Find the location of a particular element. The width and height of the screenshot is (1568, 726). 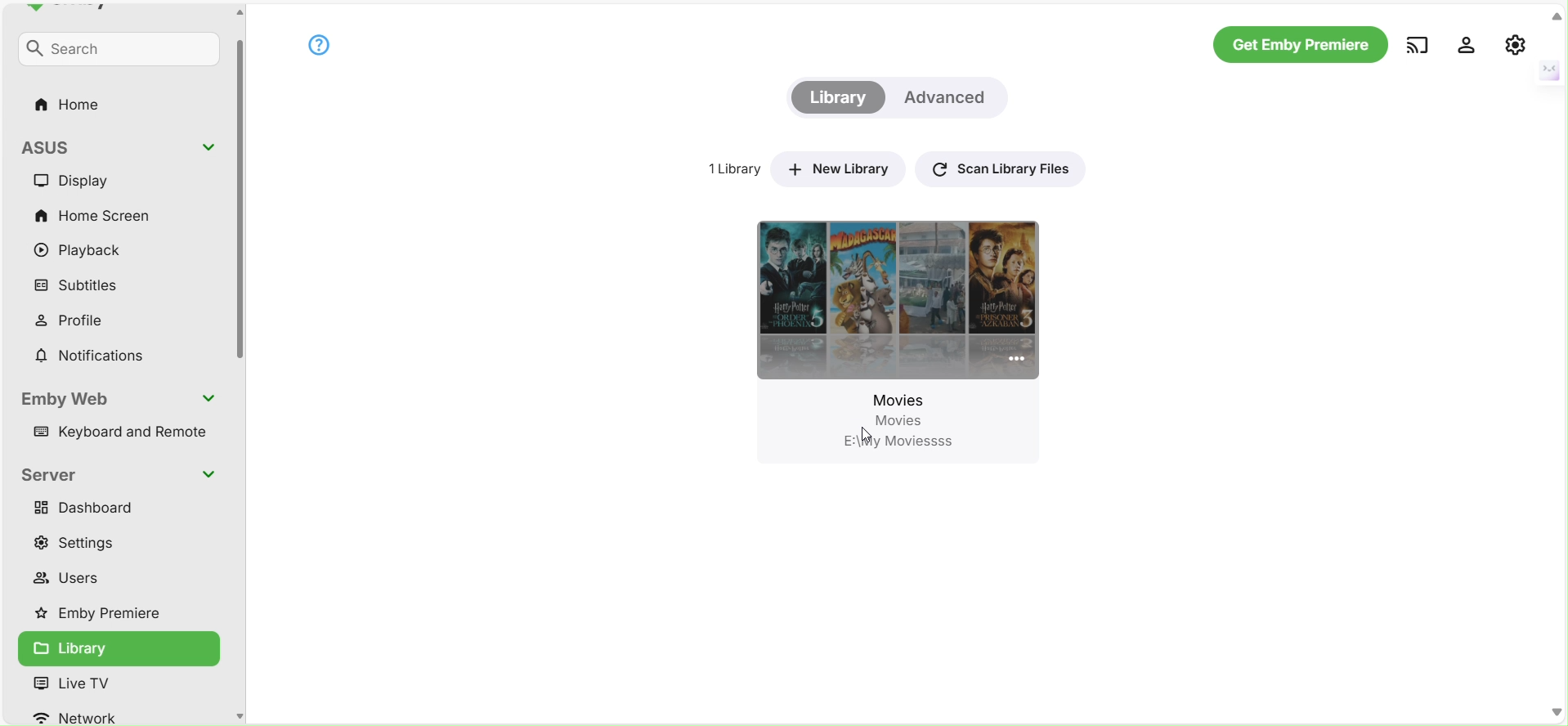

Playback is located at coordinates (87, 248).